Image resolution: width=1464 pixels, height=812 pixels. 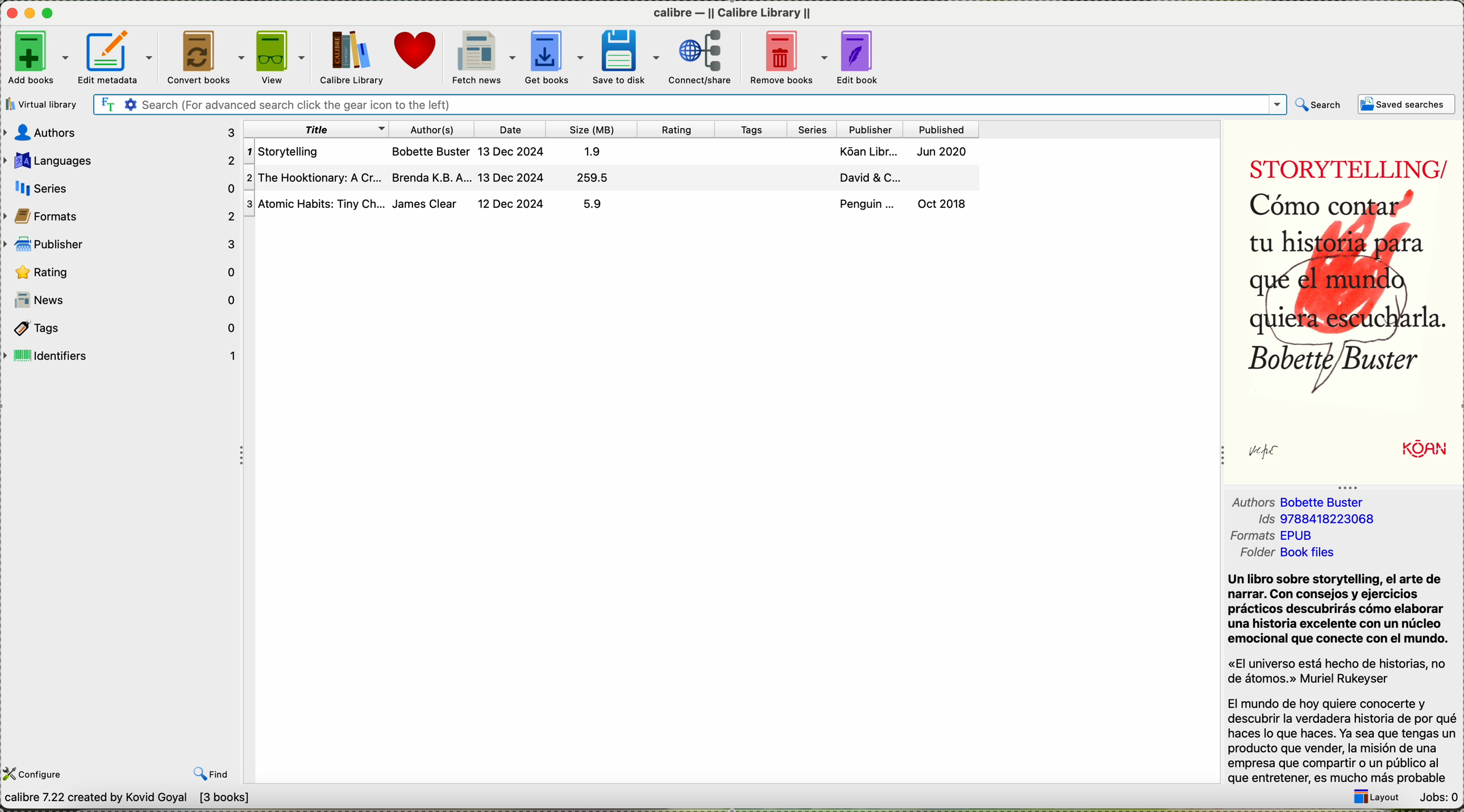 What do you see at coordinates (1333, 521) in the screenshot?
I see `9788418223068` at bounding box center [1333, 521].